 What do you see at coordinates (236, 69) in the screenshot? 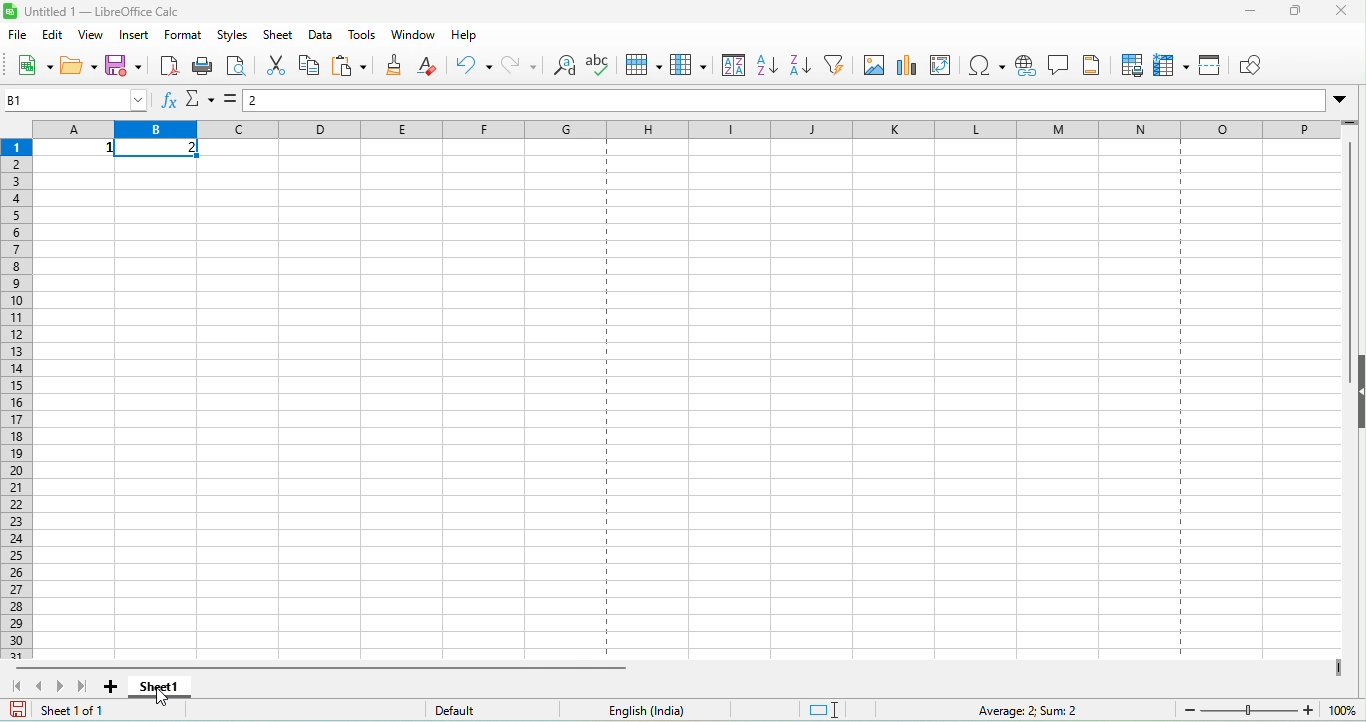
I see `print preview` at bounding box center [236, 69].